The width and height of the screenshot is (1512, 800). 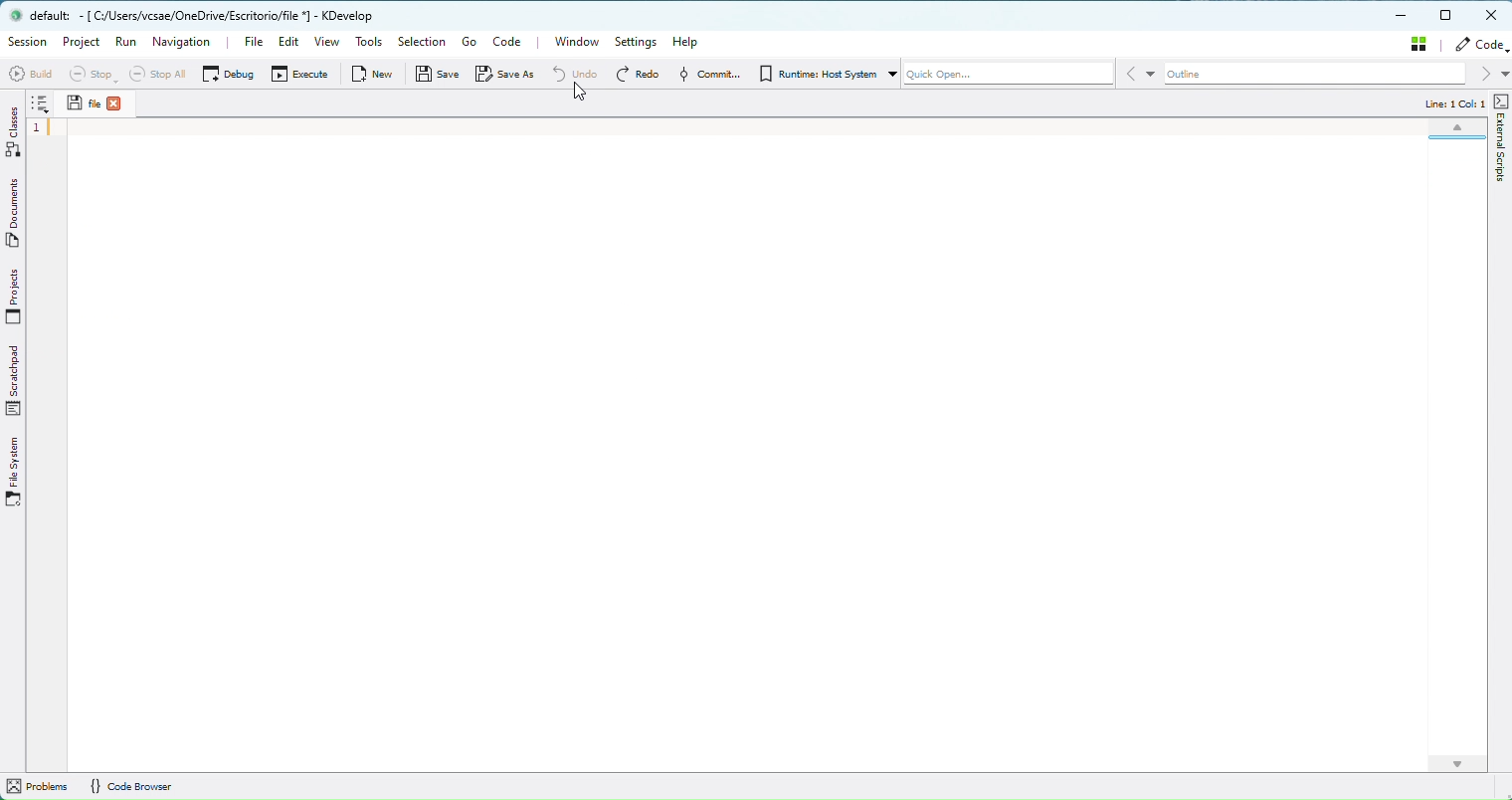 What do you see at coordinates (1459, 105) in the screenshot?
I see `Code info` at bounding box center [1459, 105].